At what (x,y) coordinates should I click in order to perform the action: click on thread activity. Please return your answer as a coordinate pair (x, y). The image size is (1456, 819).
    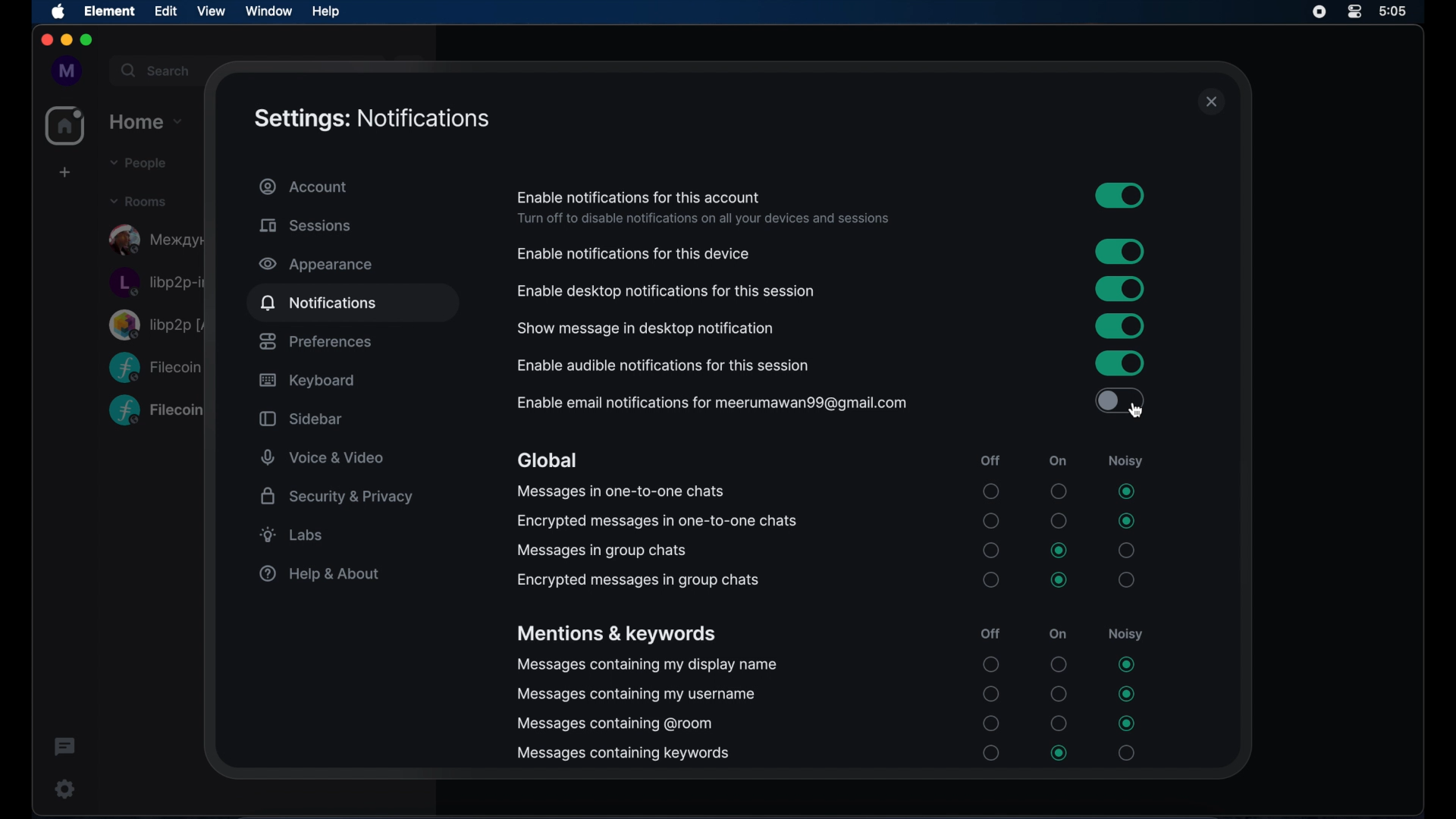
    Looking at the image, I should click on (66, 748).